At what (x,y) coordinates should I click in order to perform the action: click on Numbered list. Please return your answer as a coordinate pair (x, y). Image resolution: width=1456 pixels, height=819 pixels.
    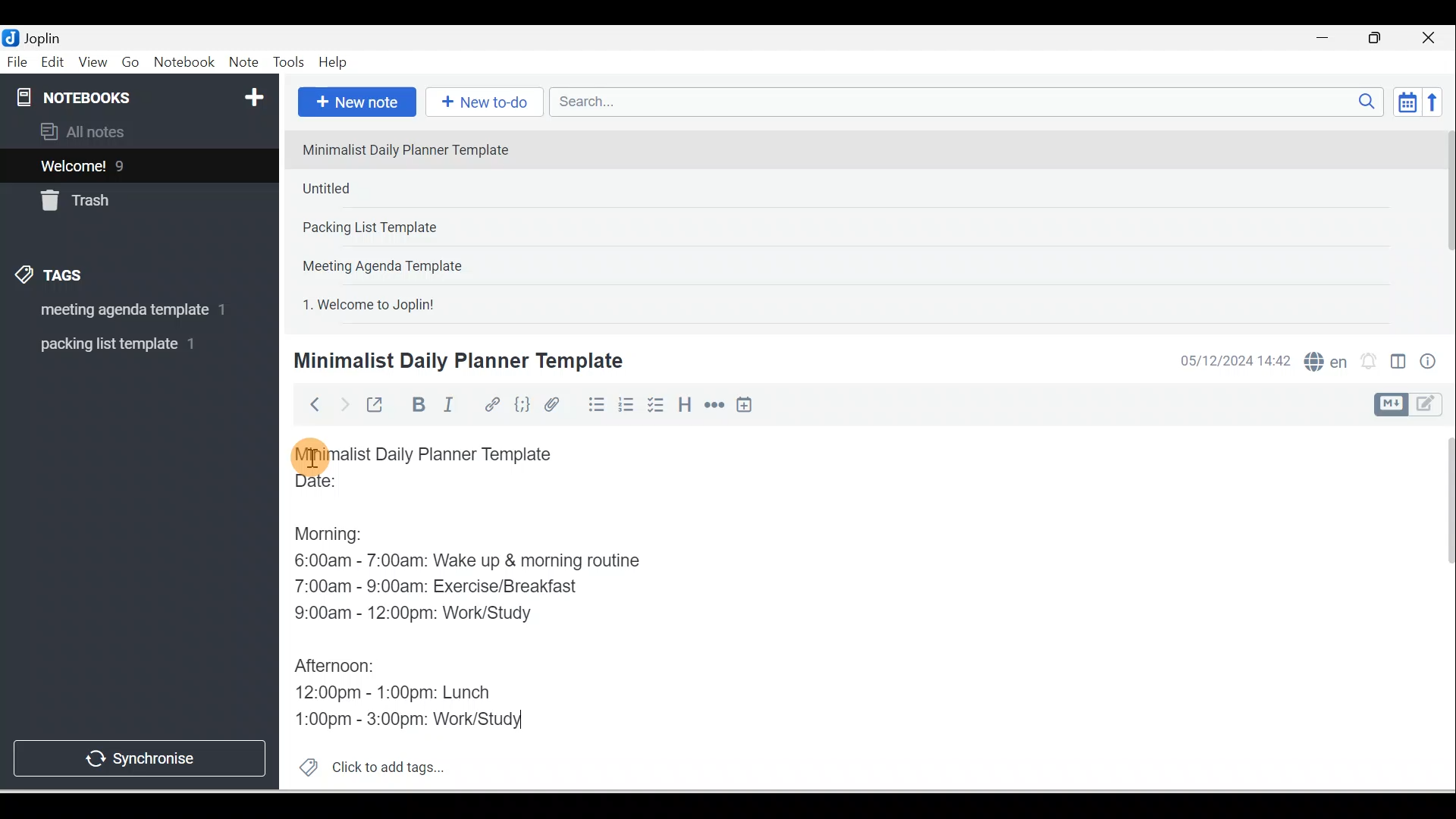
    Looking at the image, I should click on (626, 404).